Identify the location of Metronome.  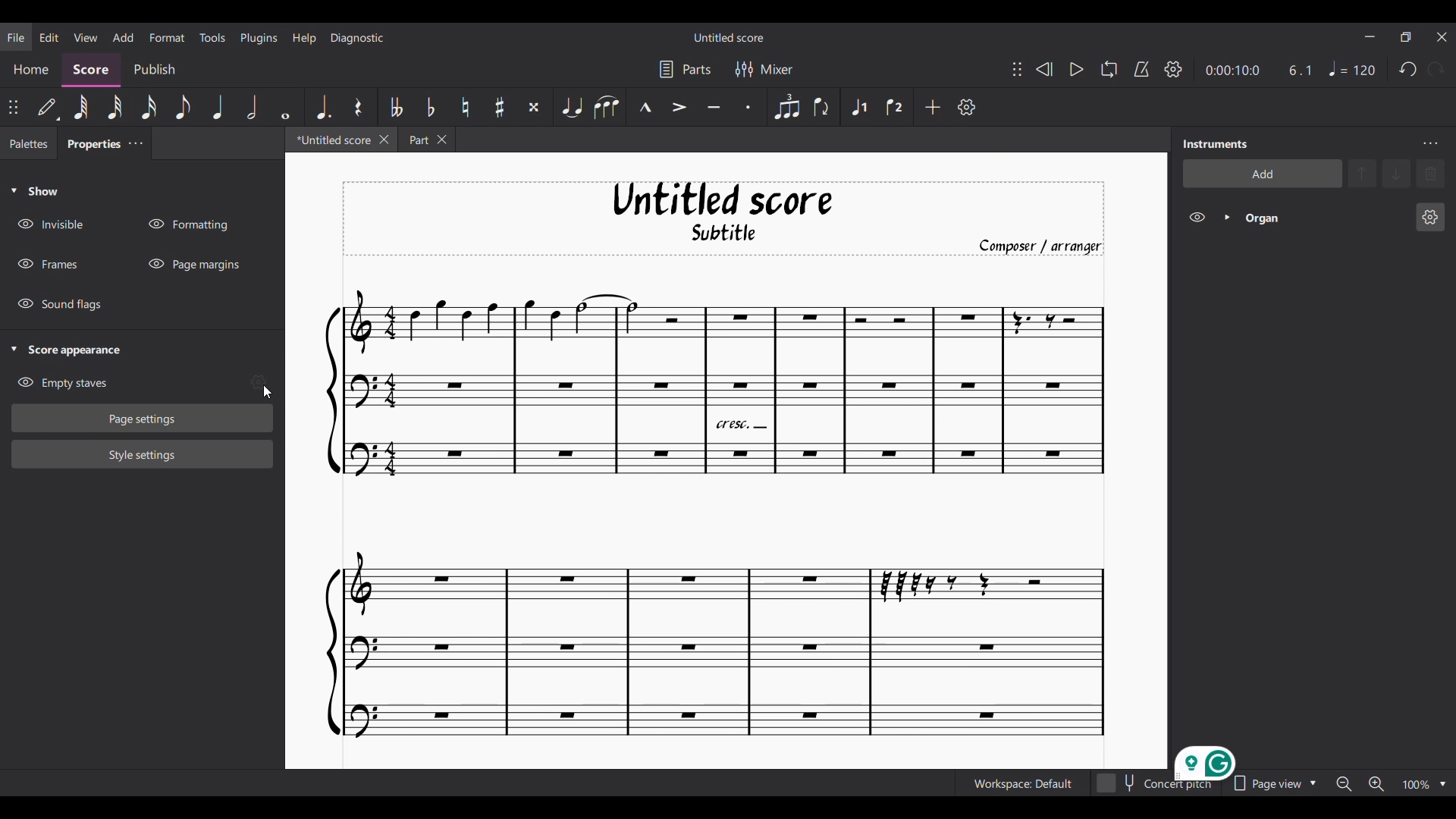
(1141, 70).